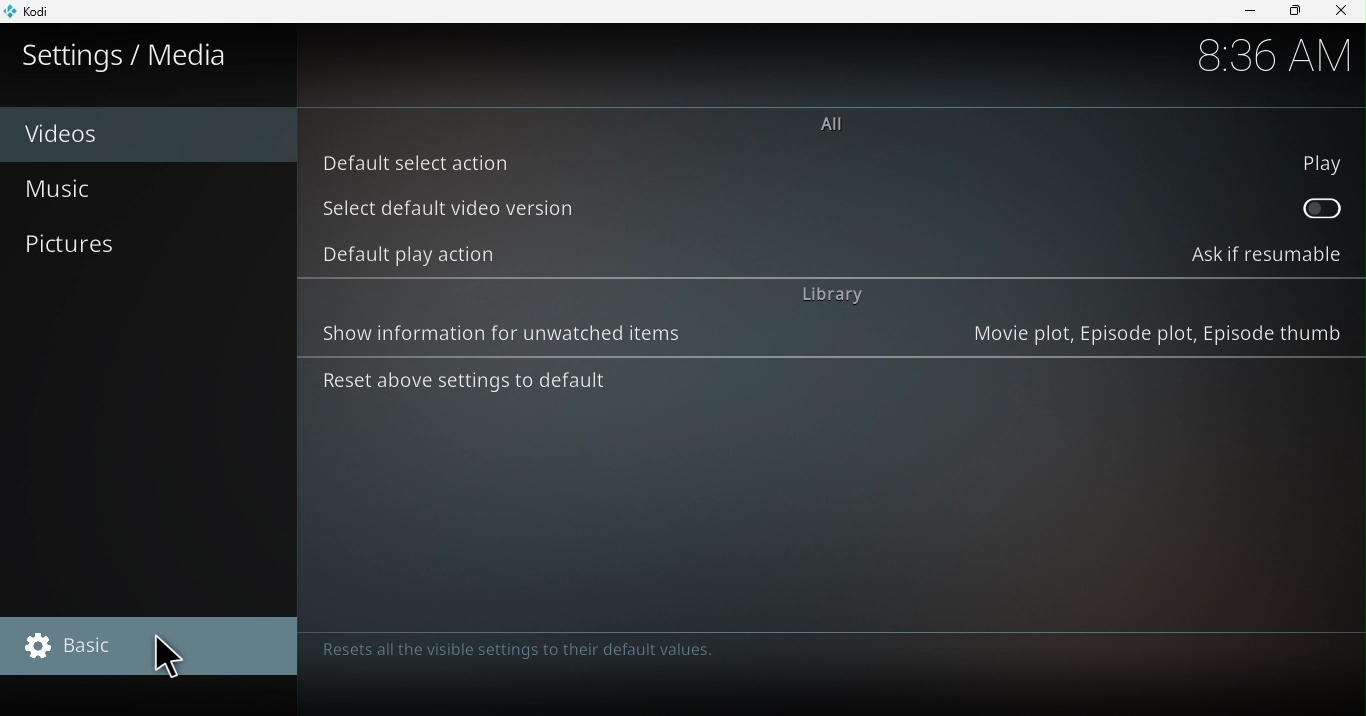 The width and height of the screenshot is (1366, 716). Describe the element at coordinates (146, 189) in the screenshot. I see `Music` at that location.